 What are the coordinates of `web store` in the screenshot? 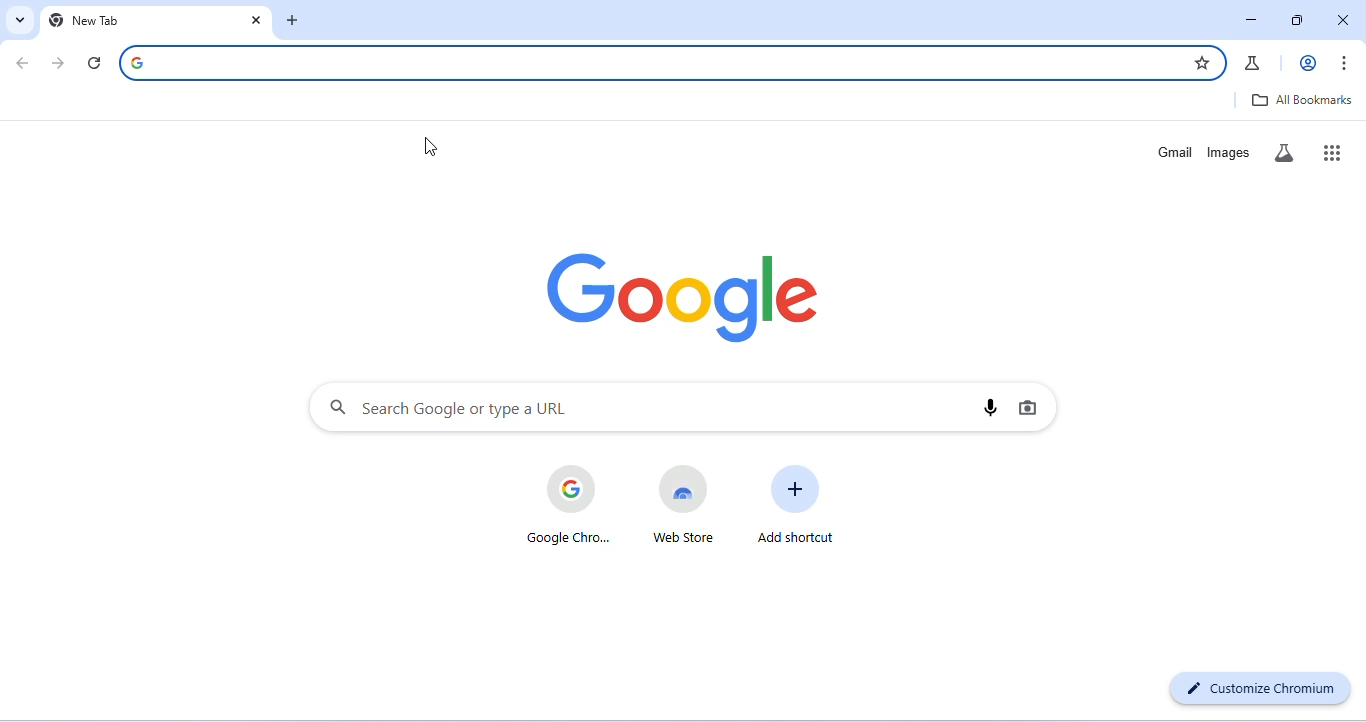 It's located at (684, 503).